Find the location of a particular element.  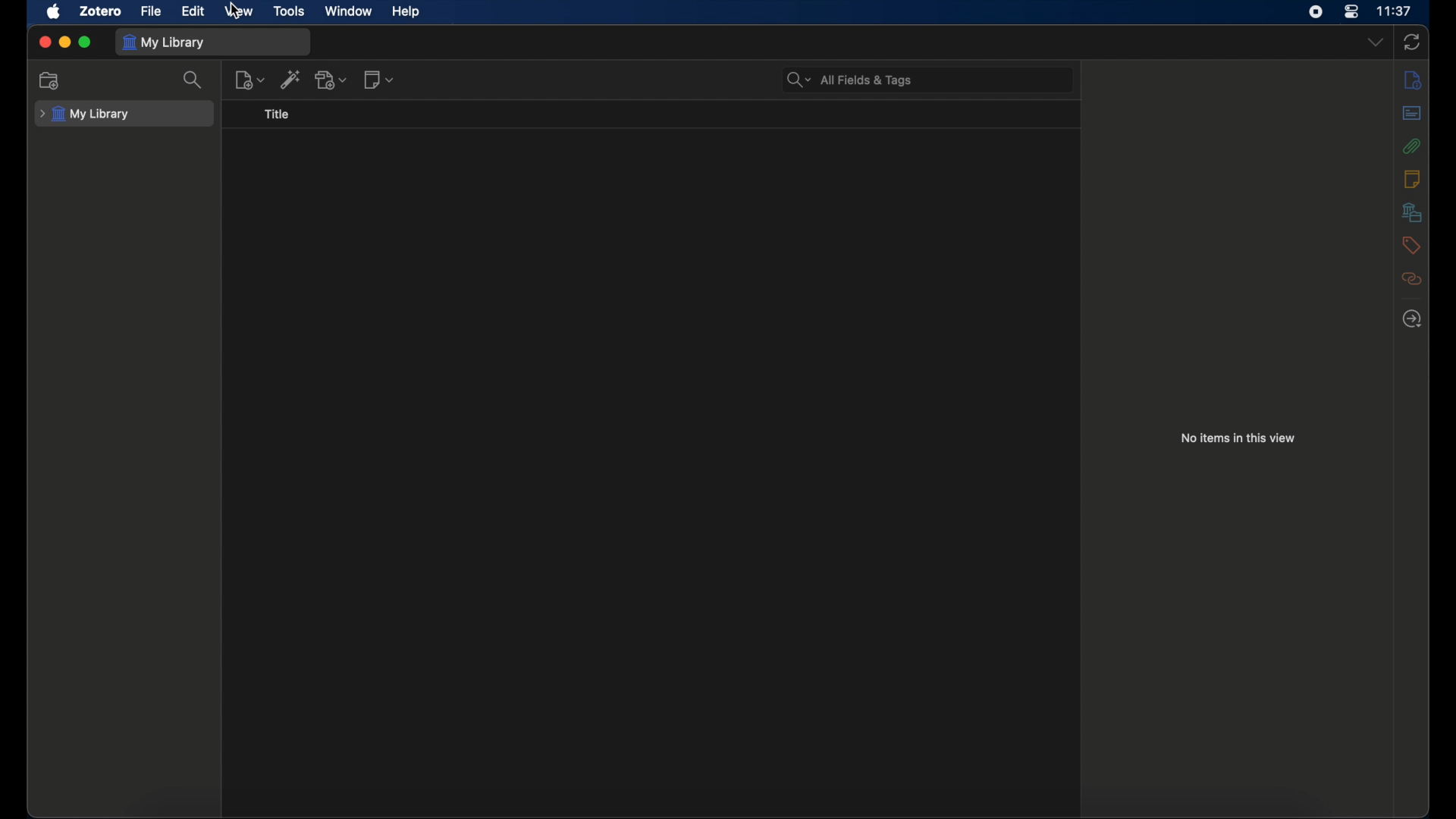

help is located at coordinates (406, 12).